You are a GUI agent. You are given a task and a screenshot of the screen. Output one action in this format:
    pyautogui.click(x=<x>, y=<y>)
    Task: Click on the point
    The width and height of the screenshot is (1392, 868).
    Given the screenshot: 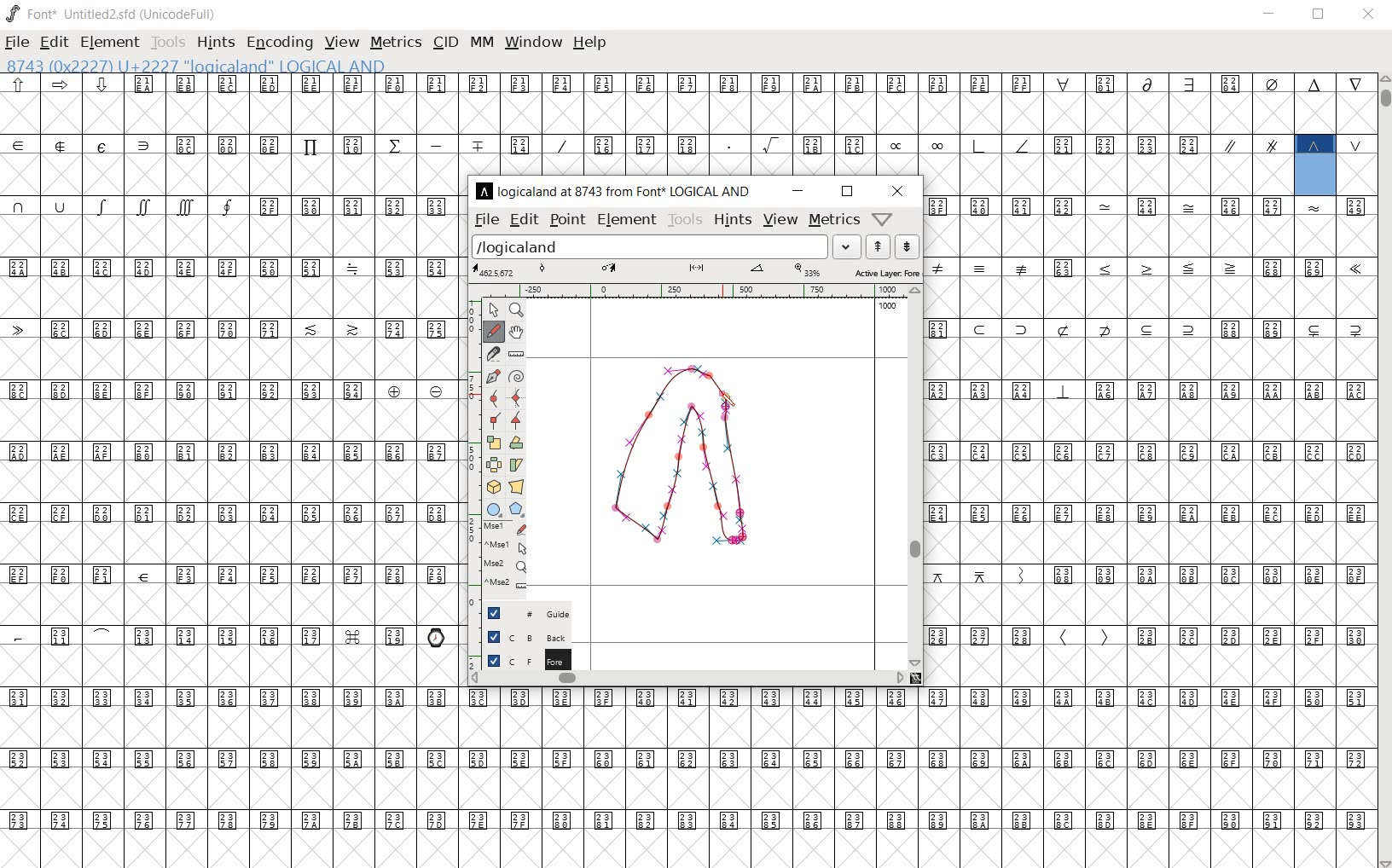 What is the action you would take?
    pyautogui.click(x=567, y=220)
    